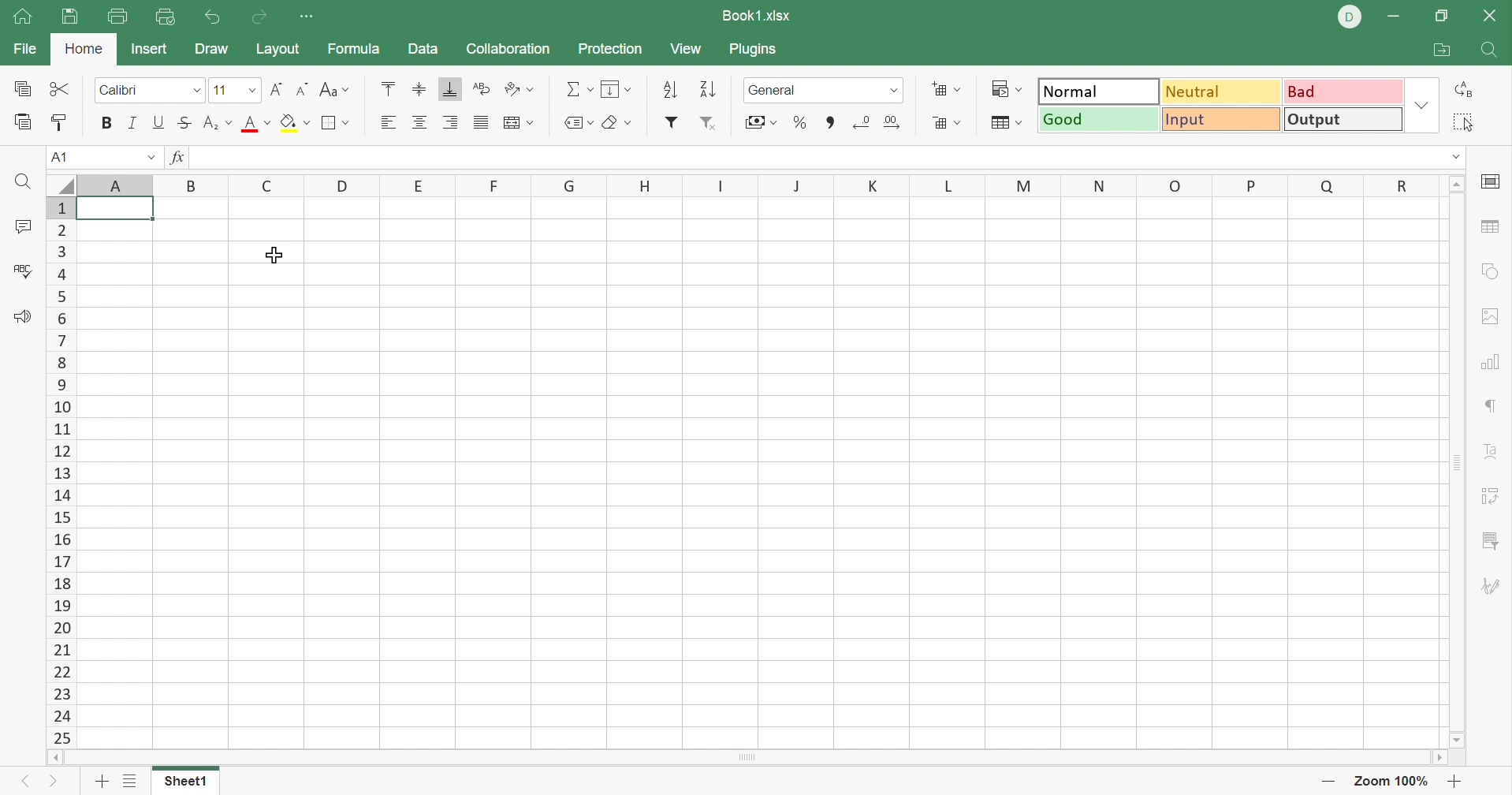  I want to click on DELL, so click(1348, 17).